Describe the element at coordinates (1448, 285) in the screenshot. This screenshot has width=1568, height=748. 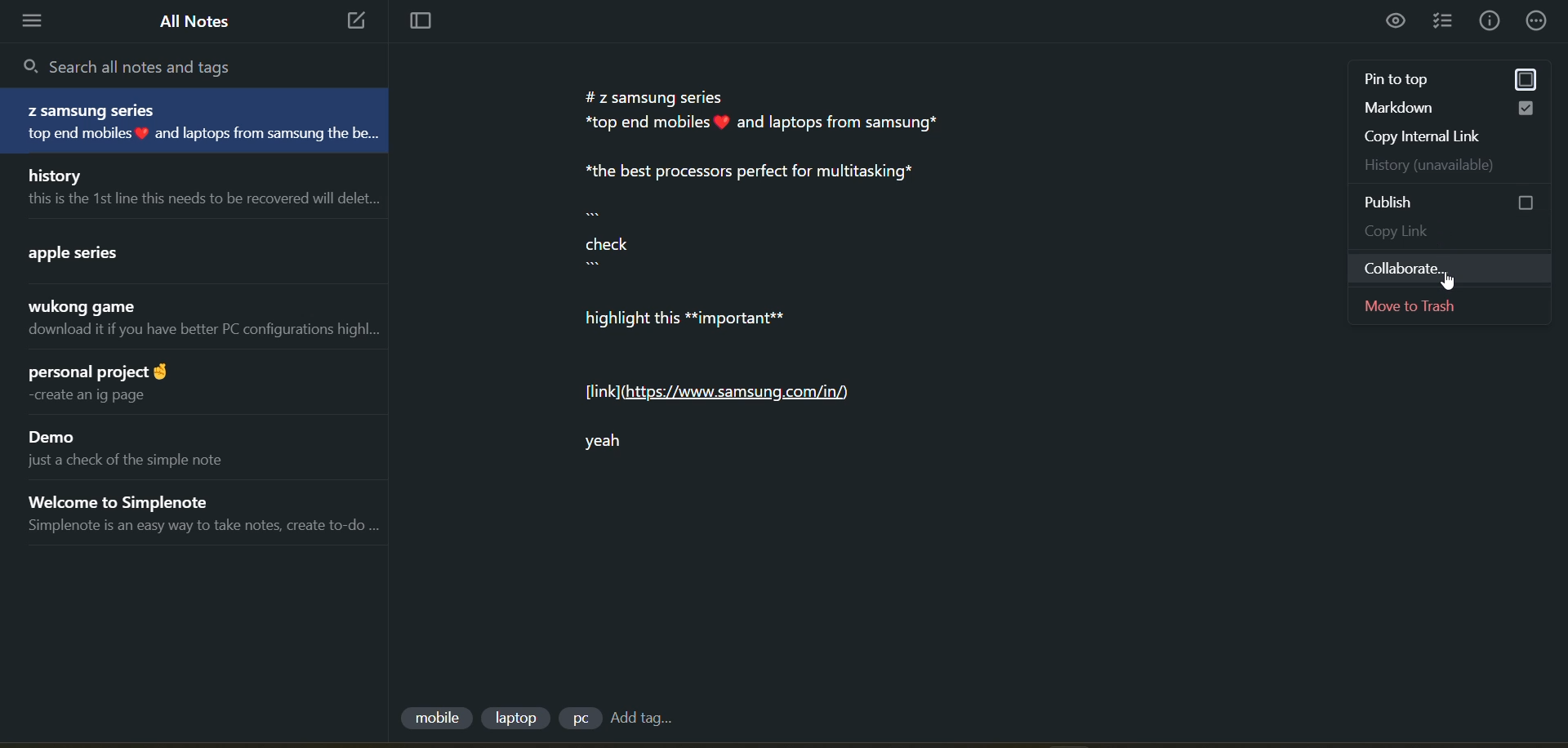
I see `cursor` at that location.